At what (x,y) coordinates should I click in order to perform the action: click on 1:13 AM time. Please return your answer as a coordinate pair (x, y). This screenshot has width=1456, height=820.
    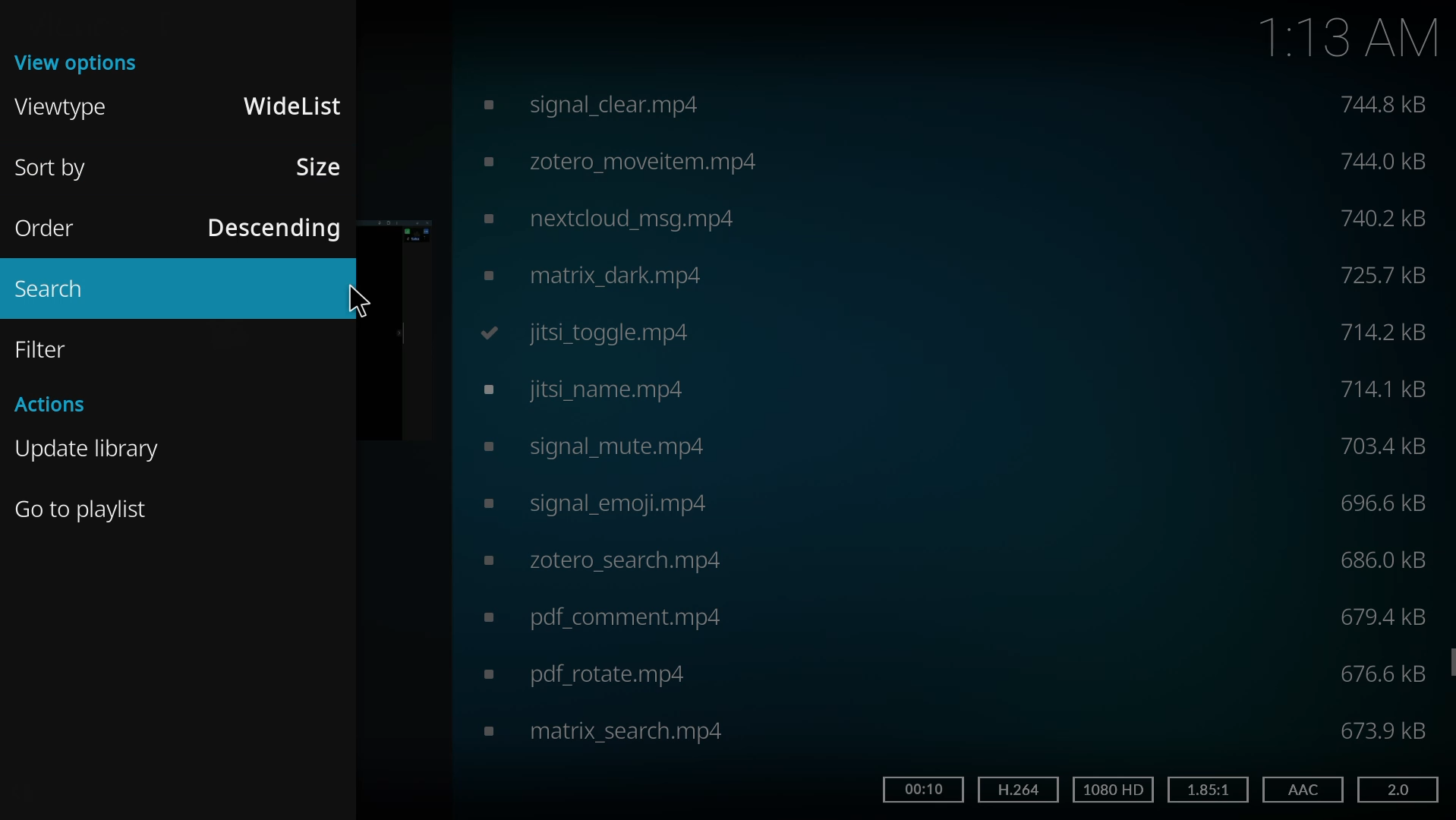
    Looking at the image, I should click on (1344, 38).